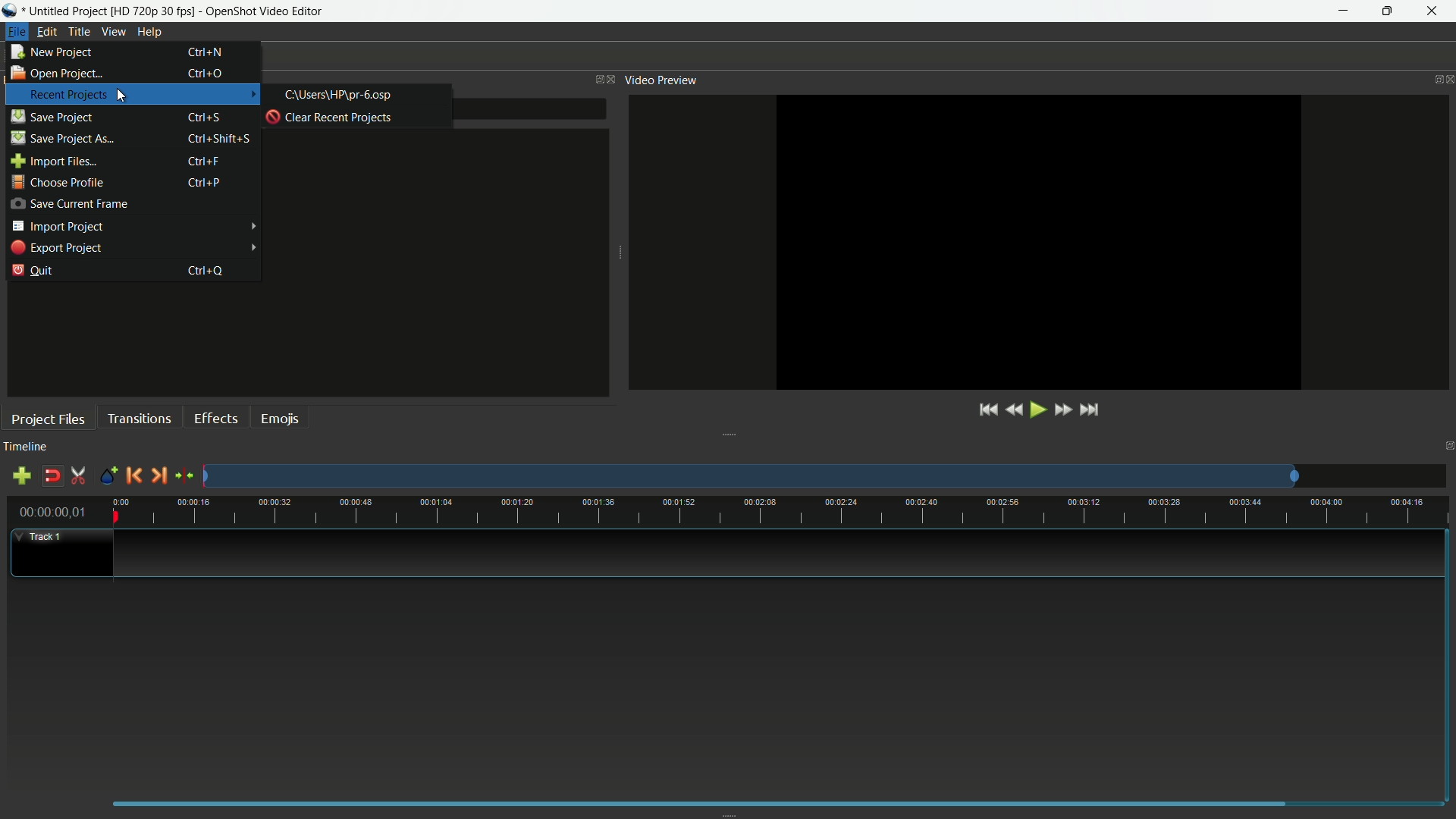 The width and height of the screenshot is (1456, 819). What do you see at coordinates (44, 536) in the screenshot?
I see `track 1` at bounding box center [44, 536].